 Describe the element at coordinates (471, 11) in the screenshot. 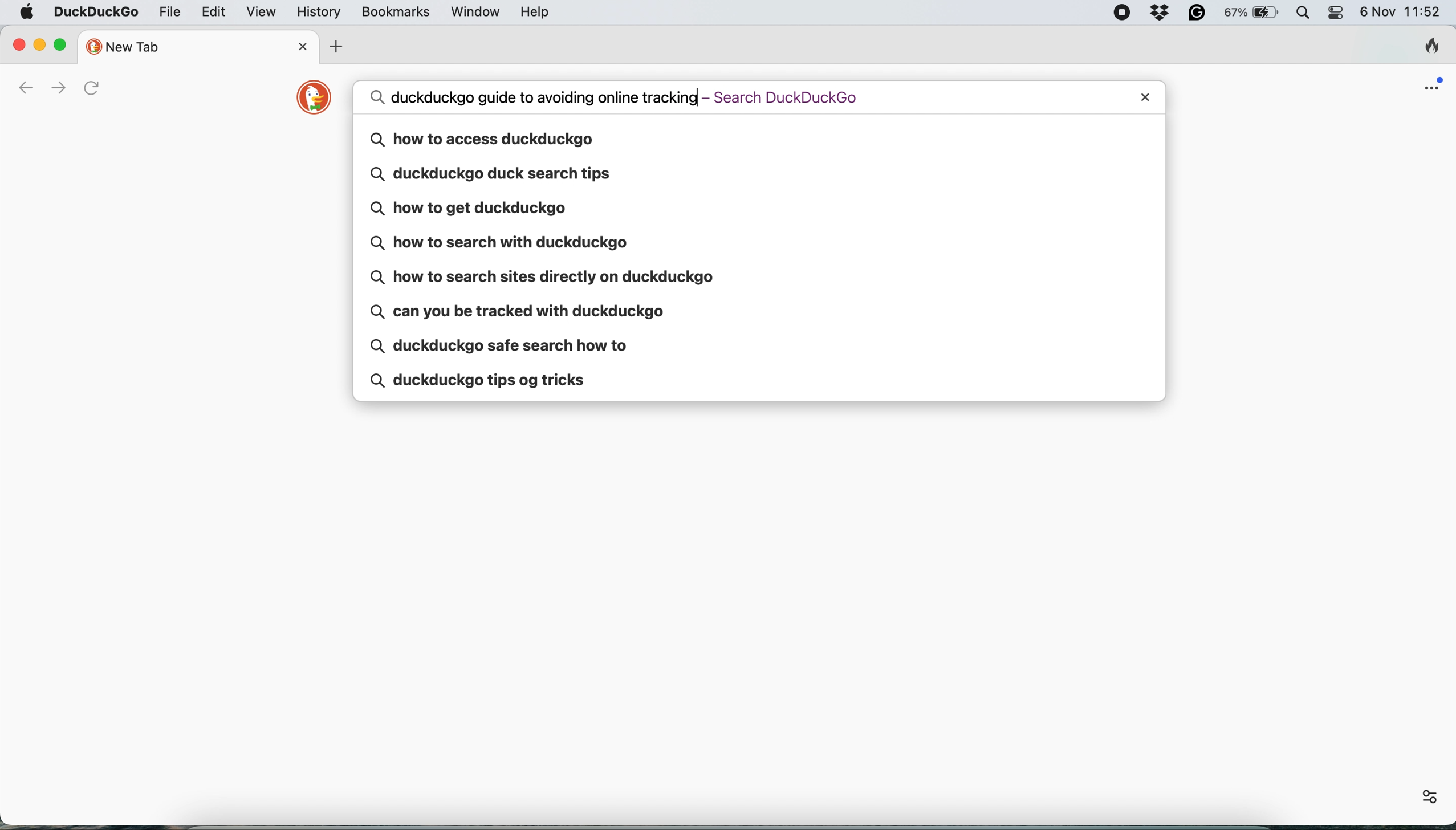

I see `window` at that location.